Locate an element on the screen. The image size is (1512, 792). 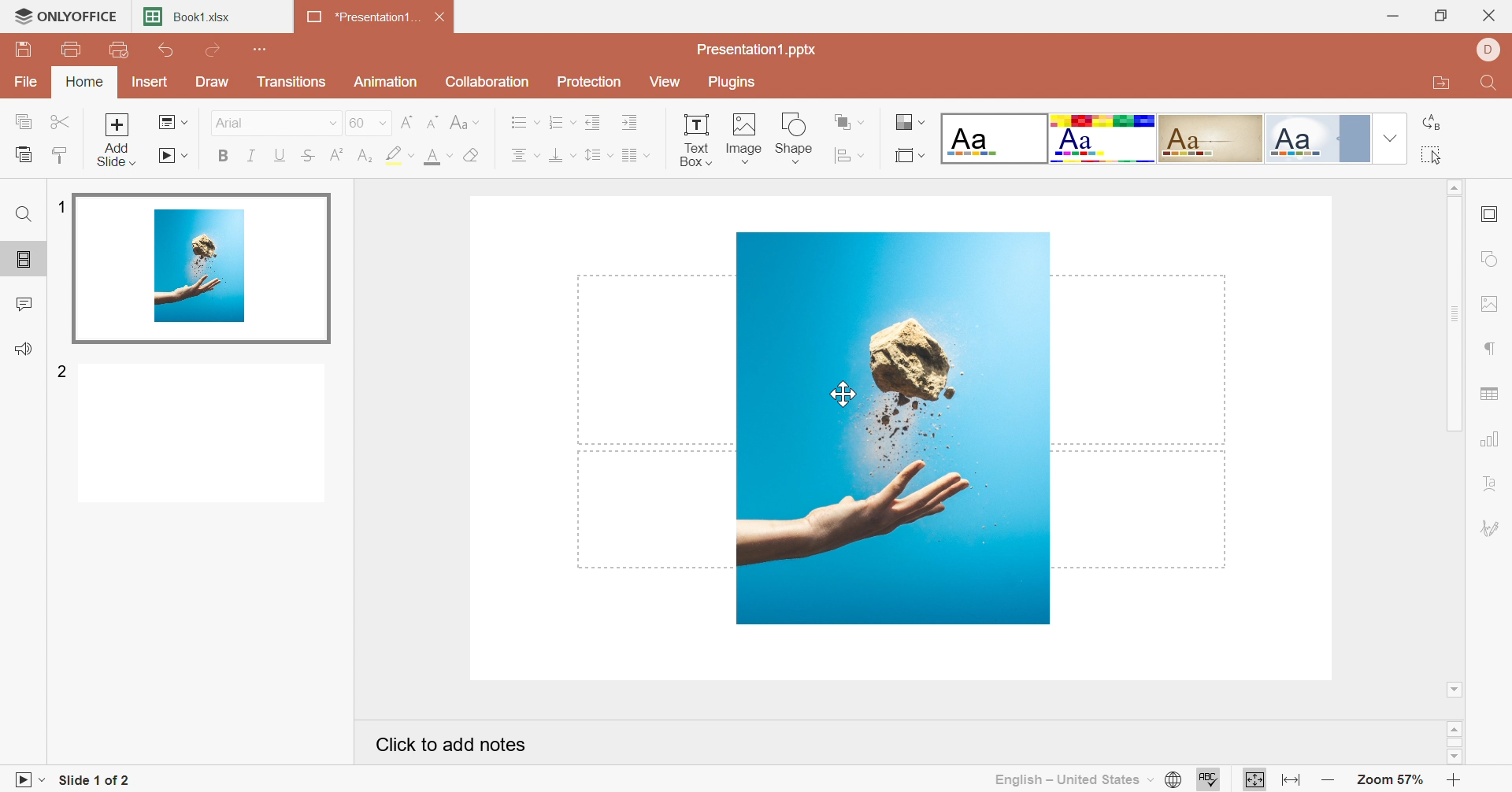
Fit to slide is located at coordinates (1254, 779).